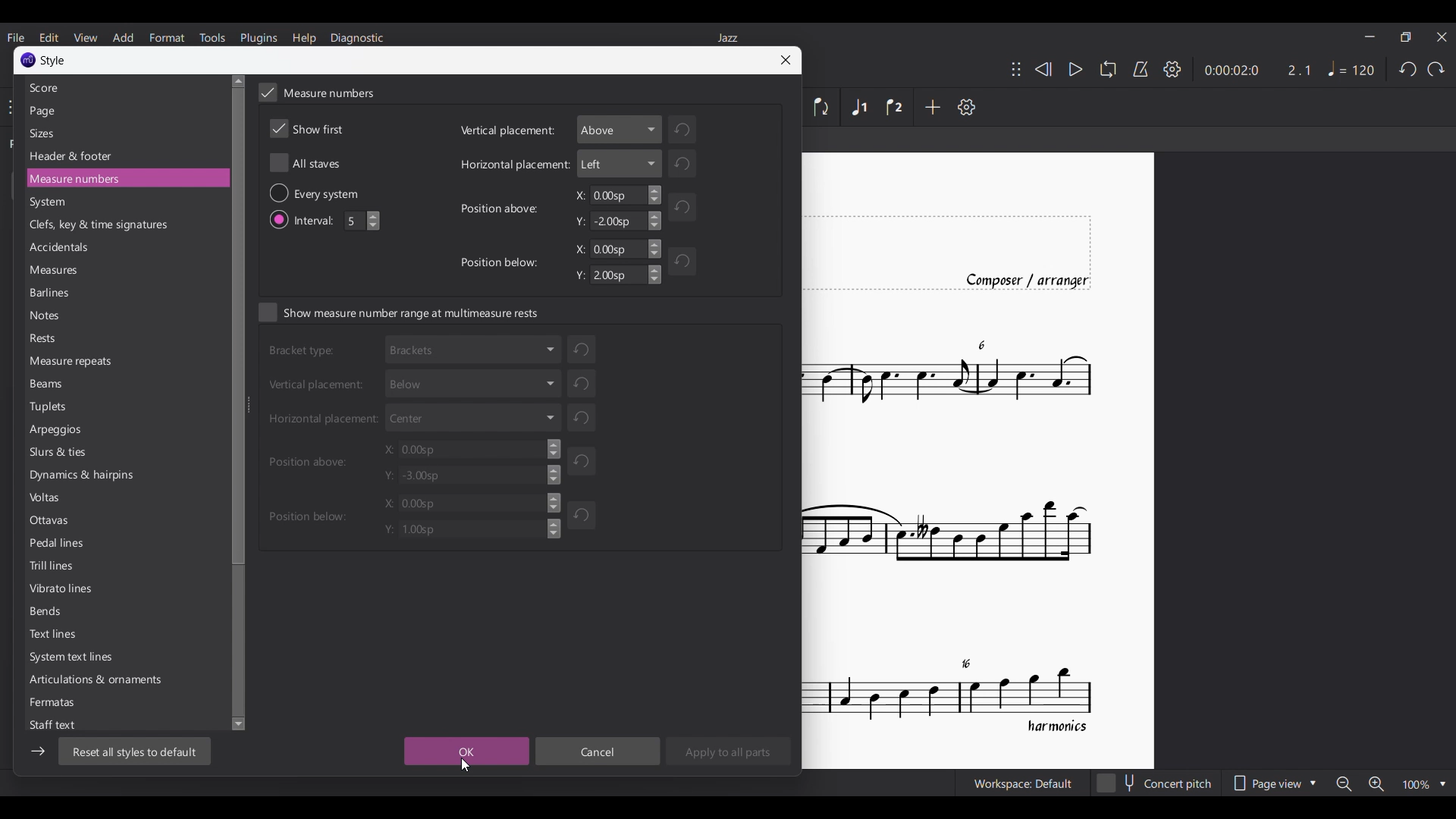 The width and height of the screenshot is (1456, 819). I want to click on Measure, so click(70, 362).